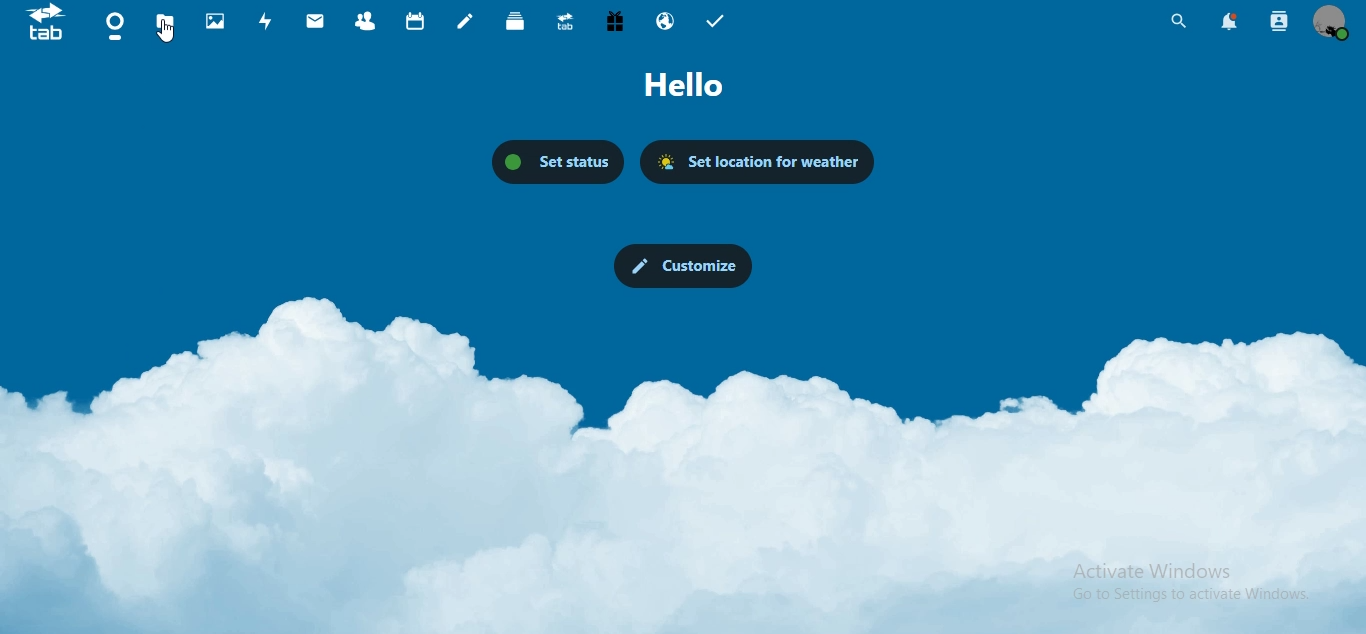 The height and width of the screenshot is (634, 1366). I want to click on customize, so click(680, 266).